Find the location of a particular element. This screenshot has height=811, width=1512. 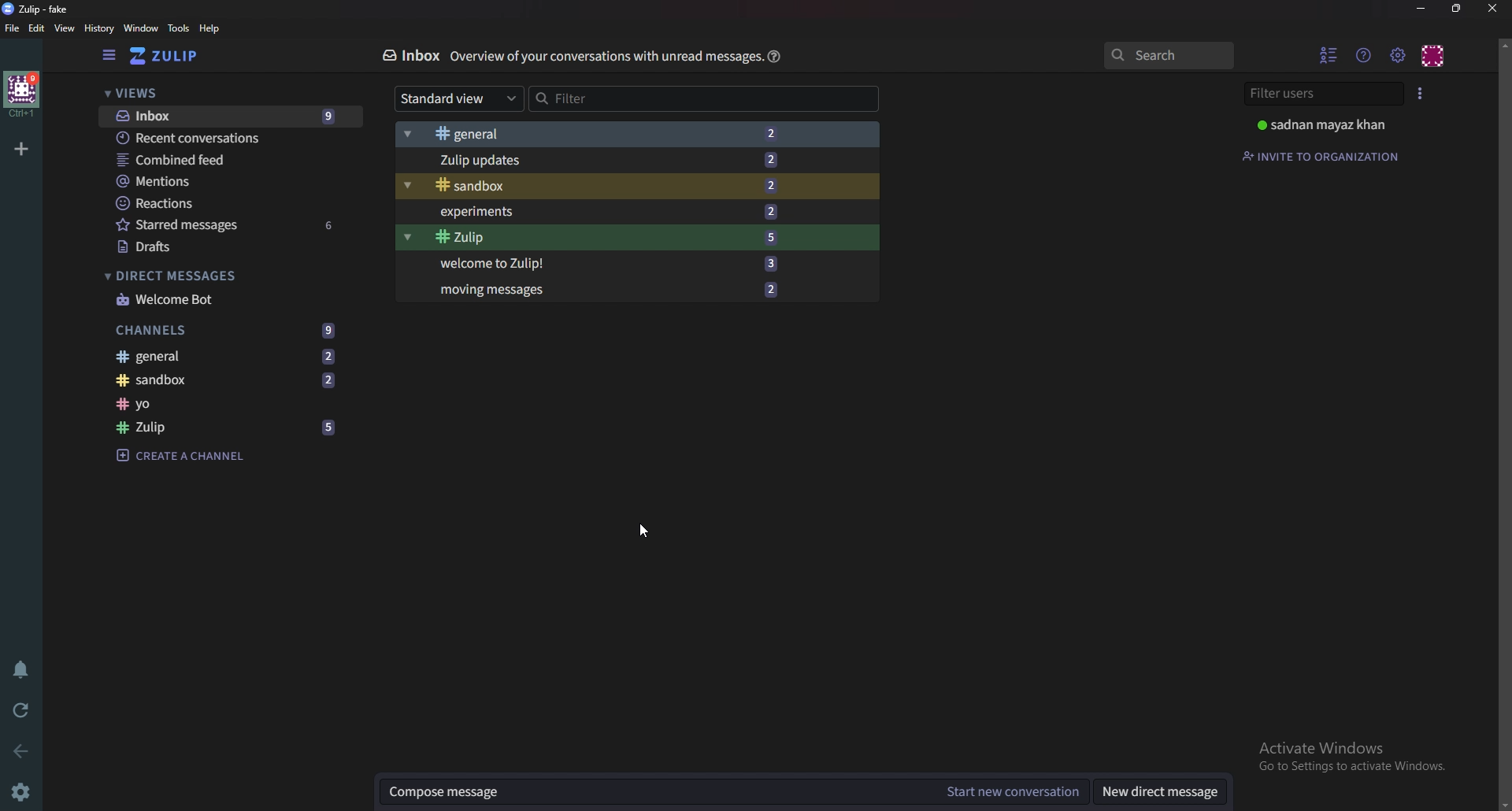

Standard view is located at coordinates (460, 99).